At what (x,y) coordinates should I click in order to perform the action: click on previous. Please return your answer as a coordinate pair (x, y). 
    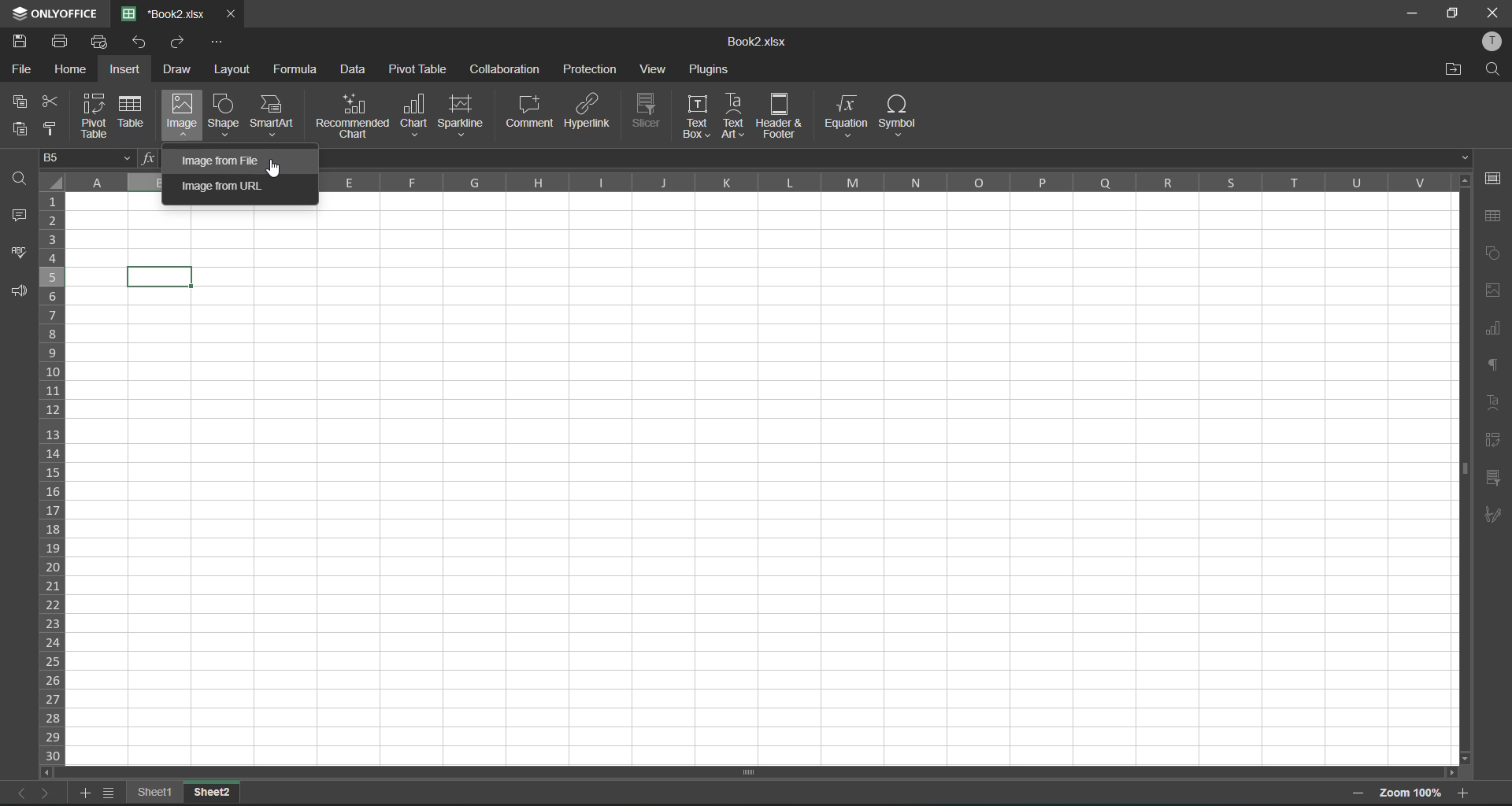
    Looking at the image, I should click on (17, 793).